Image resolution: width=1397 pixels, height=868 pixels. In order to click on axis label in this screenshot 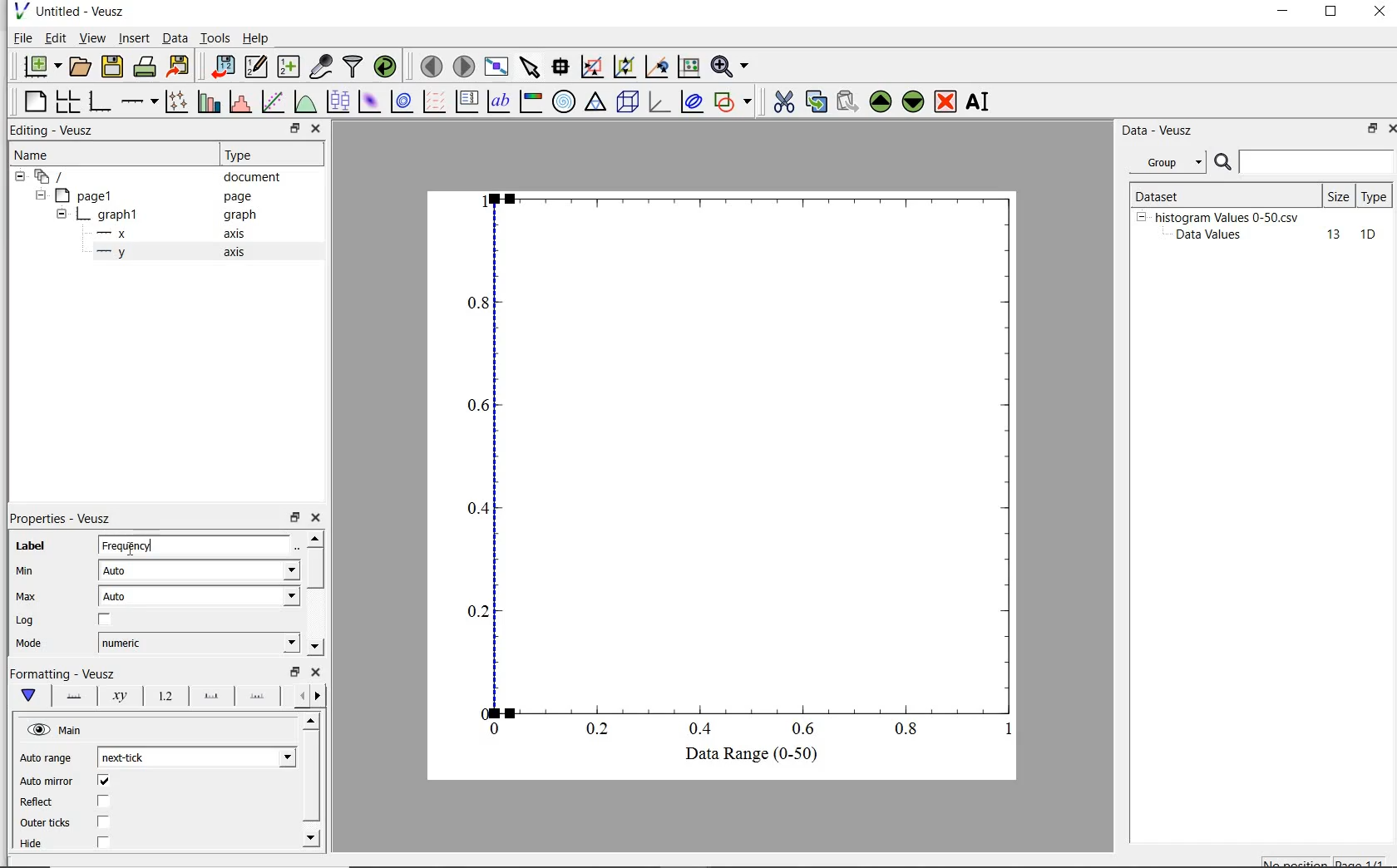, I will do `click(121, 696)`.